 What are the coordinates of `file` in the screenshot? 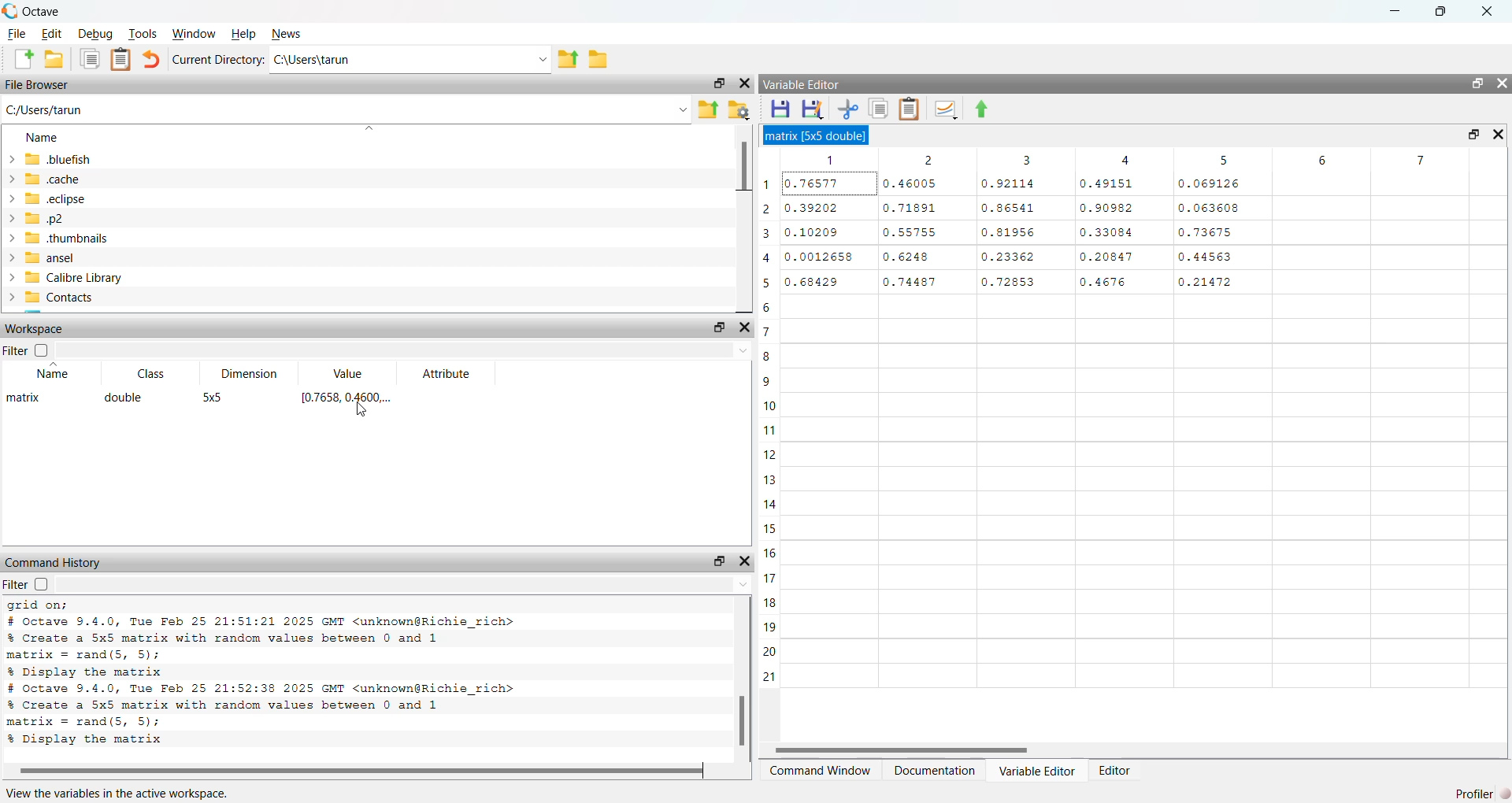 It's located at (600, 61).